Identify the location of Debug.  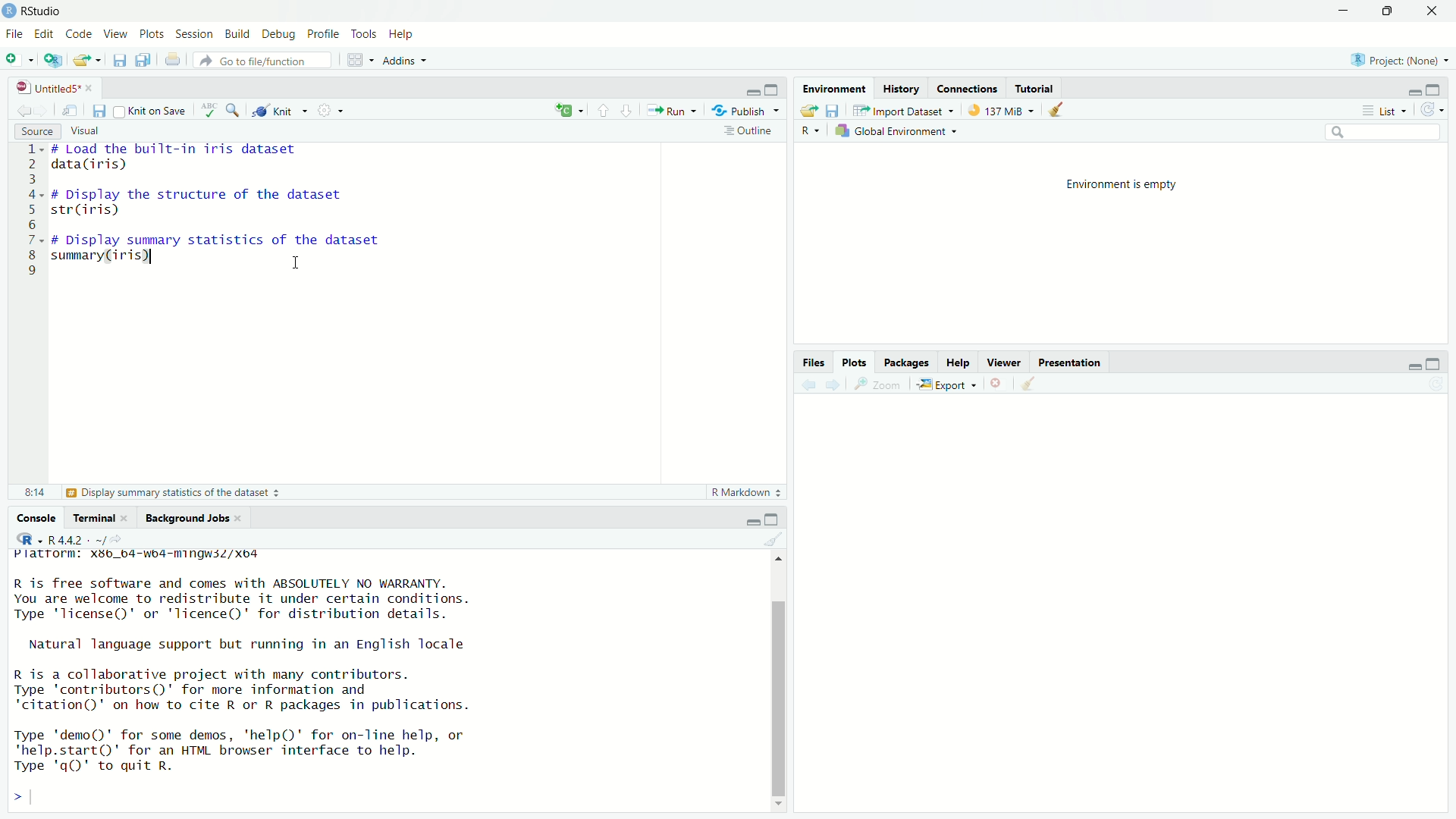
(280, 34).